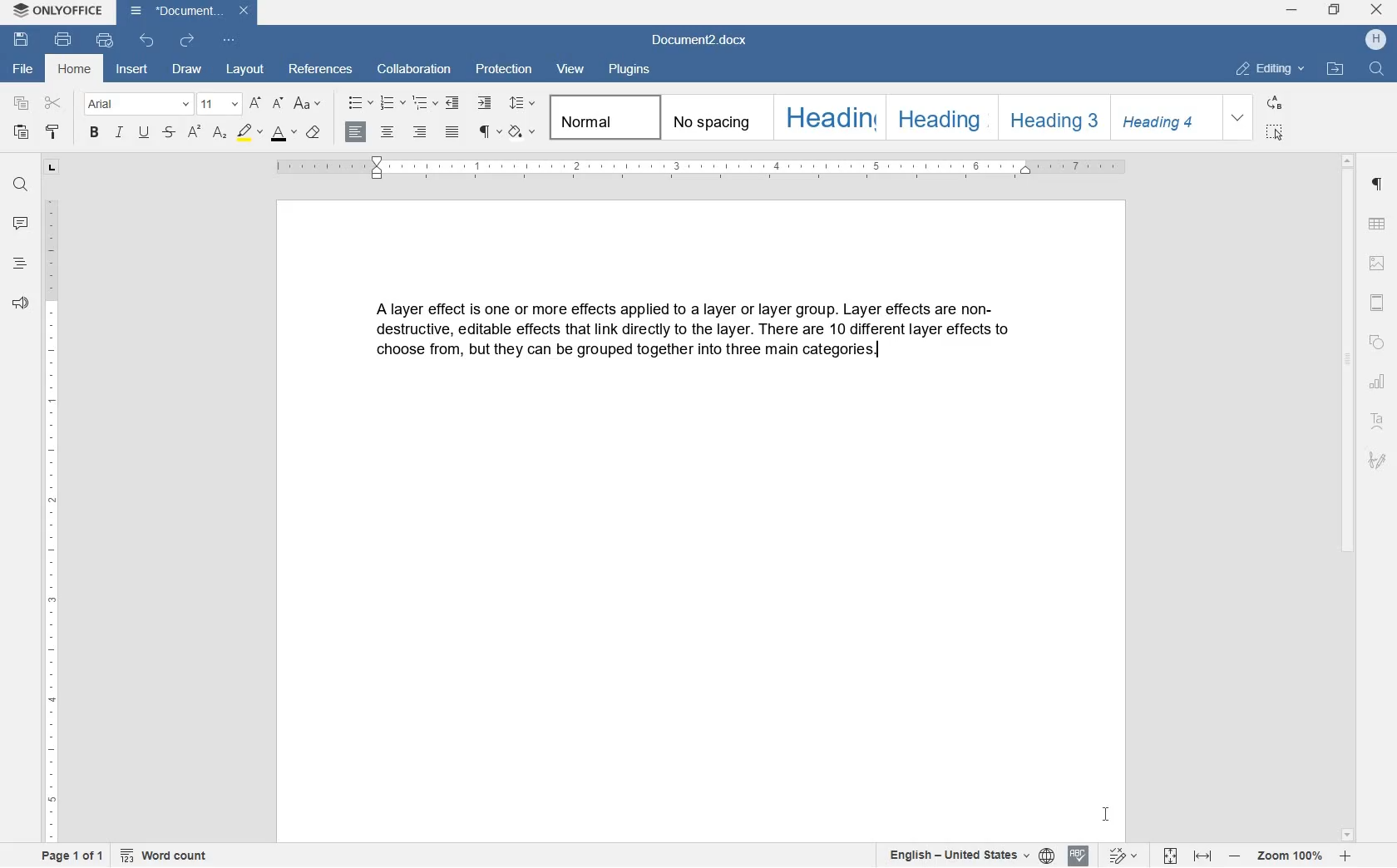 The image size is (1397, 868). What do you see at coordinates (455, 104) in the screenshot?
I see `DECREASE INDENT` at bounding box center [455, 104].